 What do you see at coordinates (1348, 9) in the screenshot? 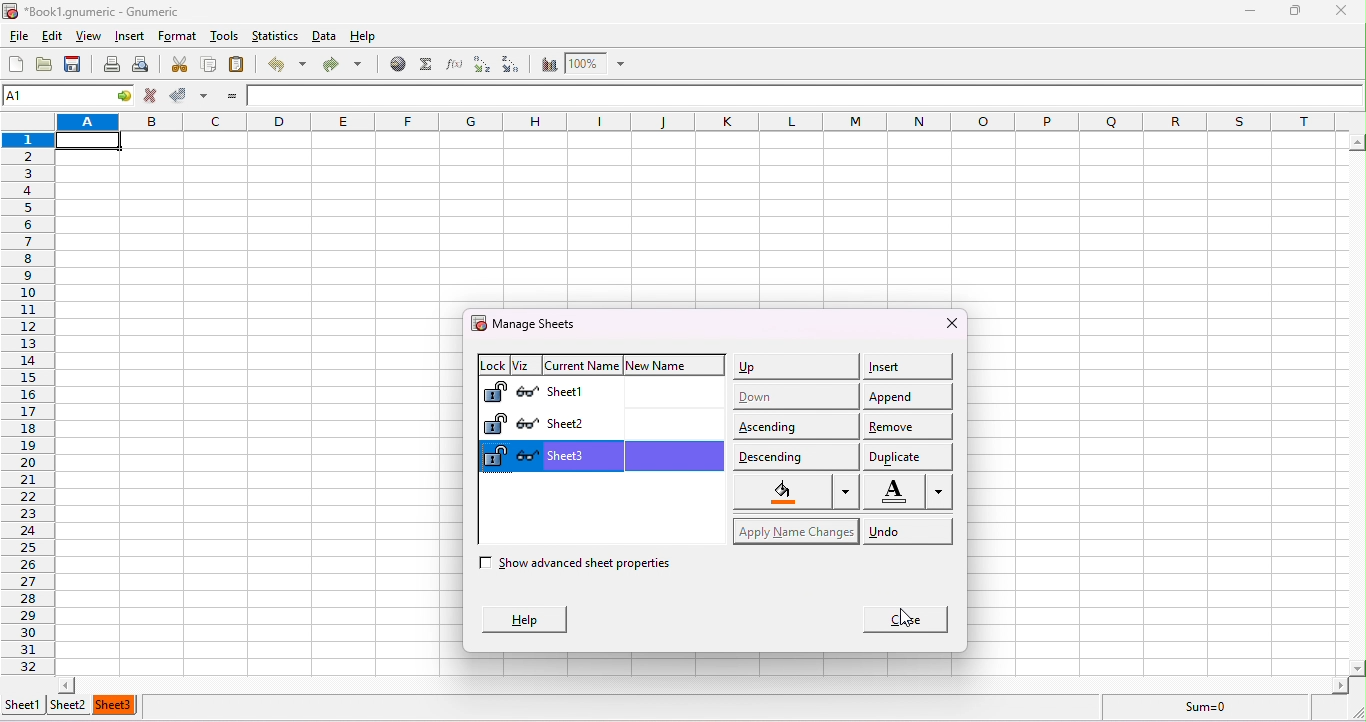
I see `close` at bounding box center [1348, 9].